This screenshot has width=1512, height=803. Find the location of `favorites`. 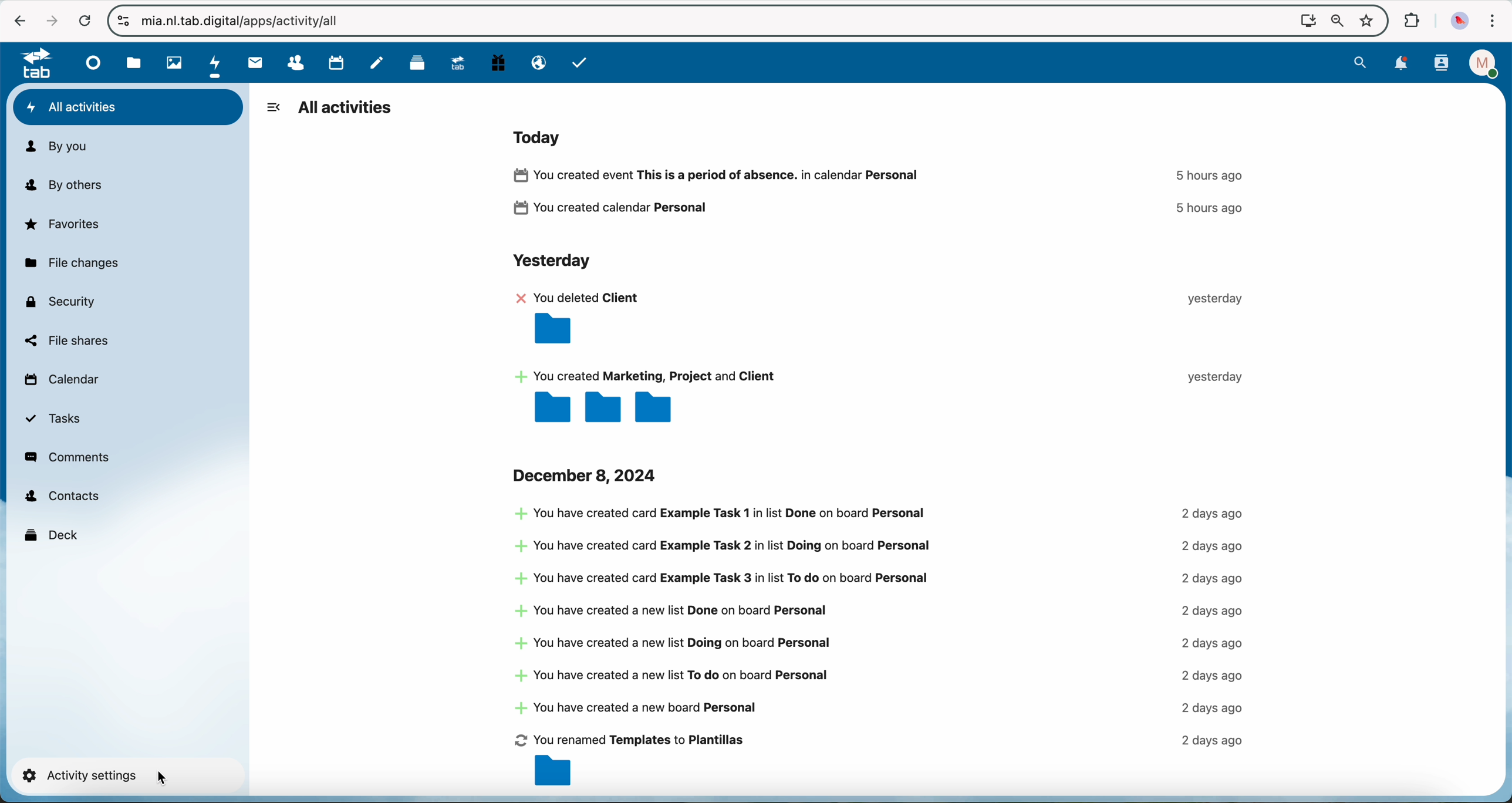

favorites is located at coordinates (1369, 21).